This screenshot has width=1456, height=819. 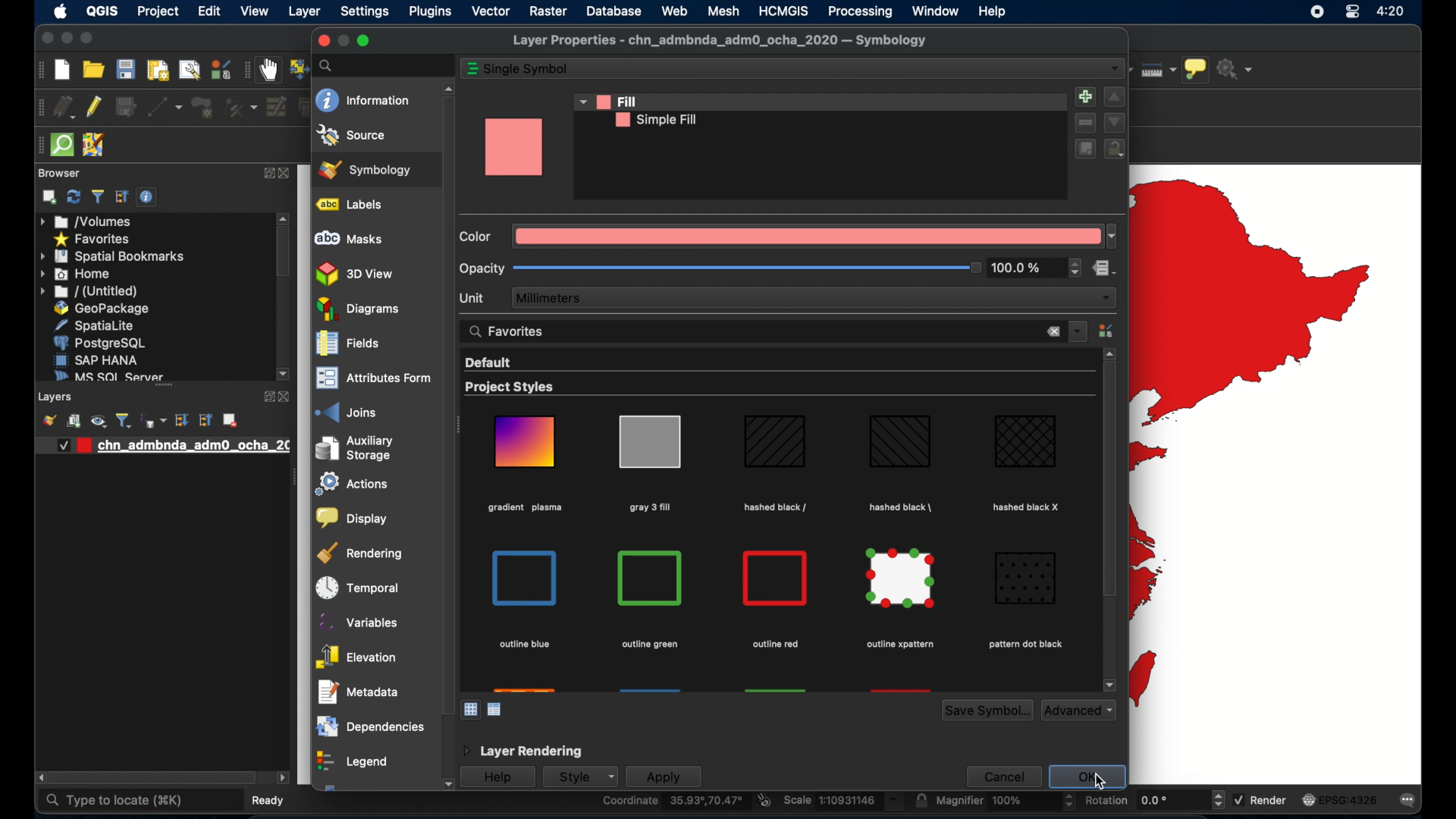 What do you see at coordinates (359, 309) in the screenshot?
I see `diagrams` at bounding box center [359, 309].